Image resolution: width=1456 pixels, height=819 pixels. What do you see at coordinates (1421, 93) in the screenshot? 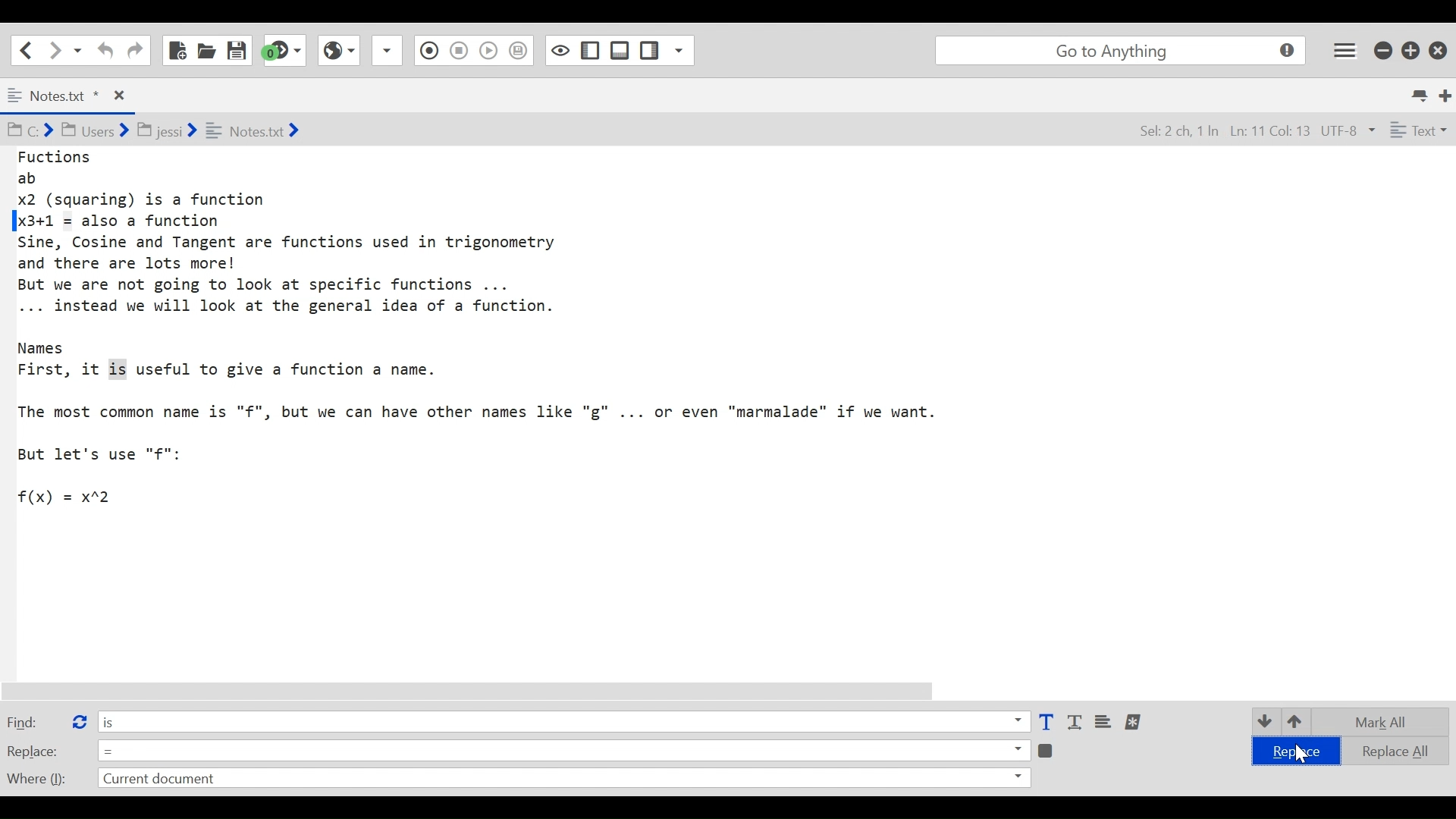
I see `List All Tabs` at bounding box center [1421, 93].